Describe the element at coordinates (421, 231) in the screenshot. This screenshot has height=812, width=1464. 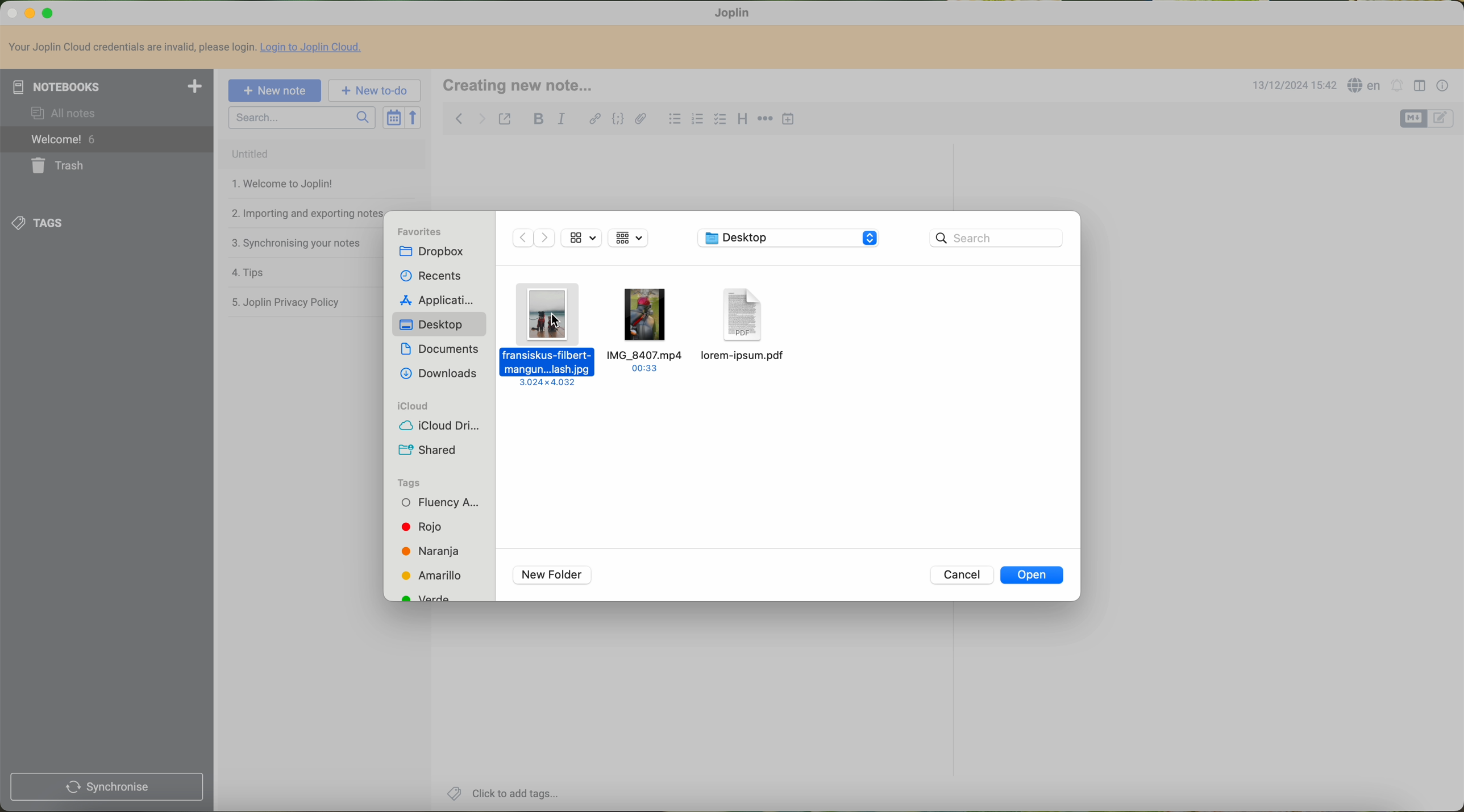
I see `favorites` at that location.